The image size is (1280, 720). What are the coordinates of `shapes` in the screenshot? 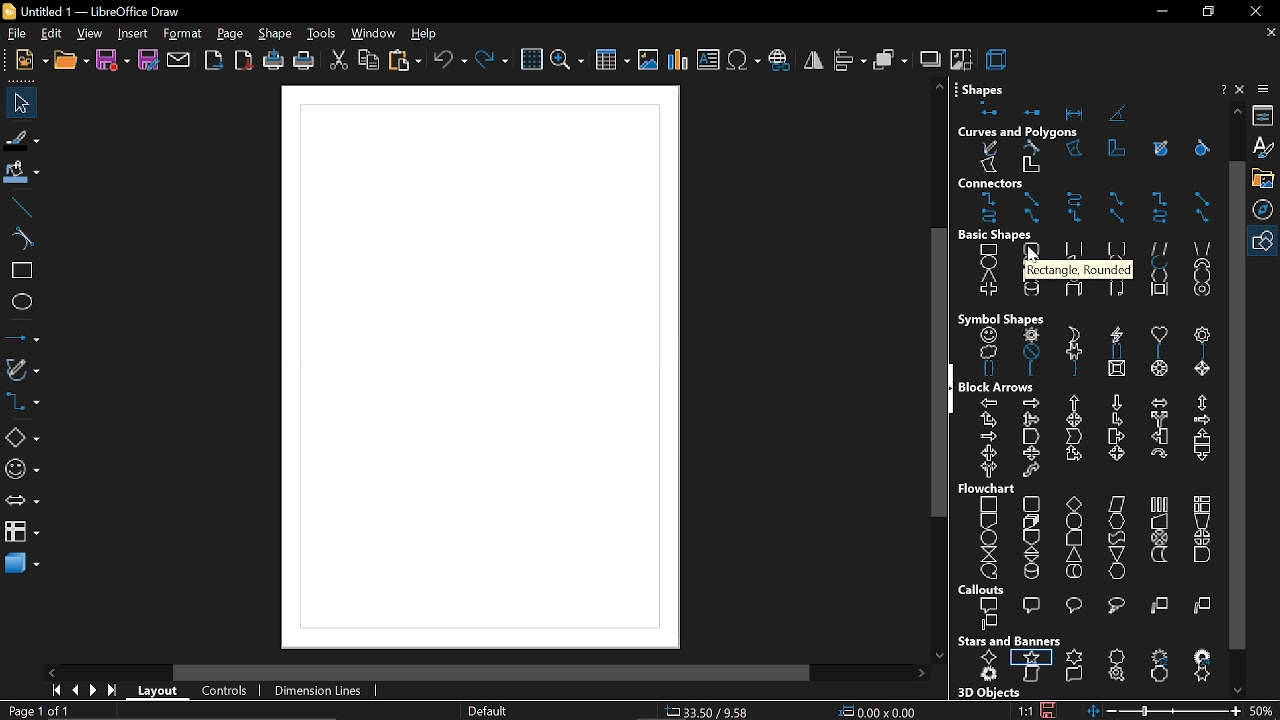 It's located at (987, 86).